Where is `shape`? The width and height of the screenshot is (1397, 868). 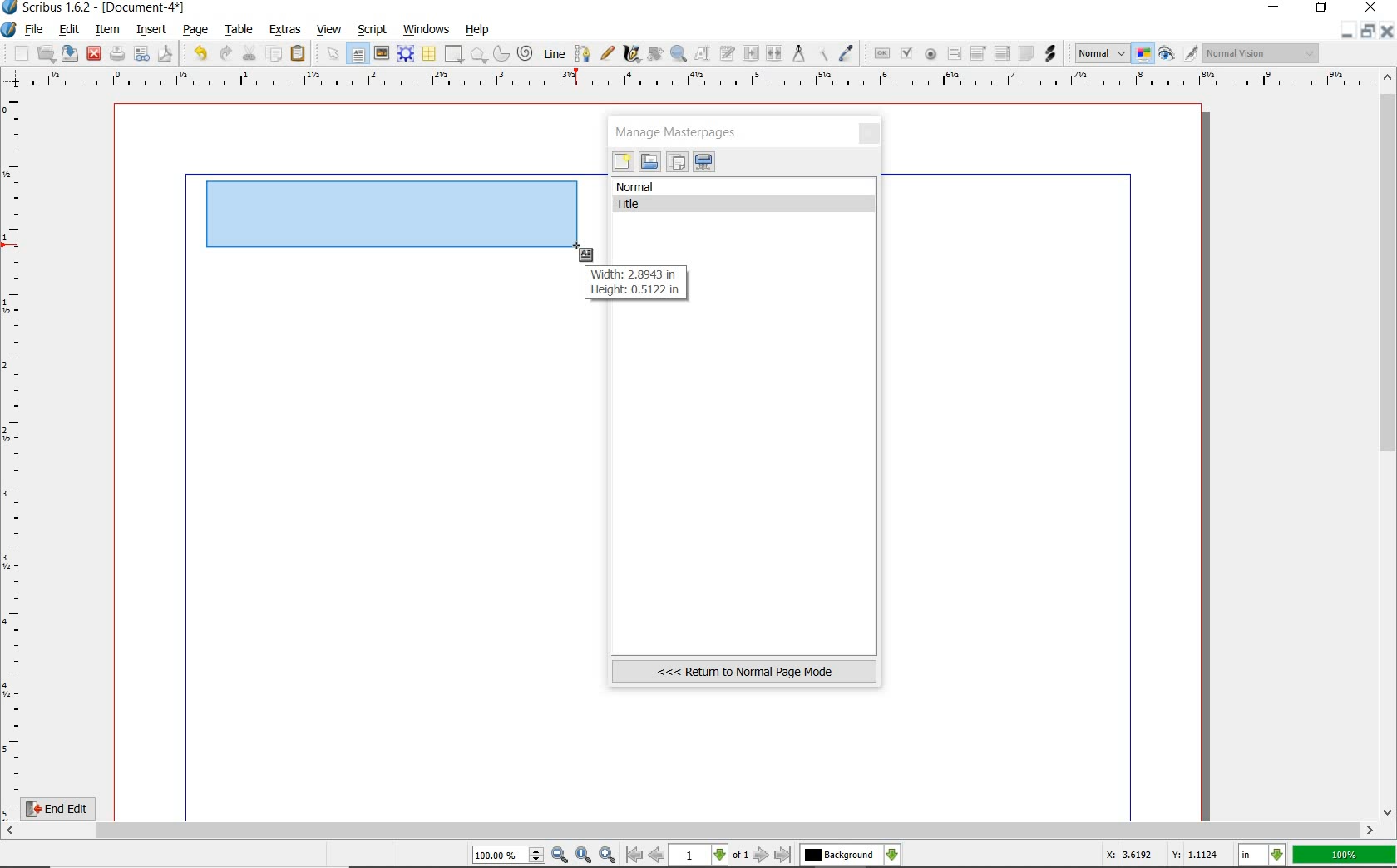 shape is located at coordinates (454, 55).